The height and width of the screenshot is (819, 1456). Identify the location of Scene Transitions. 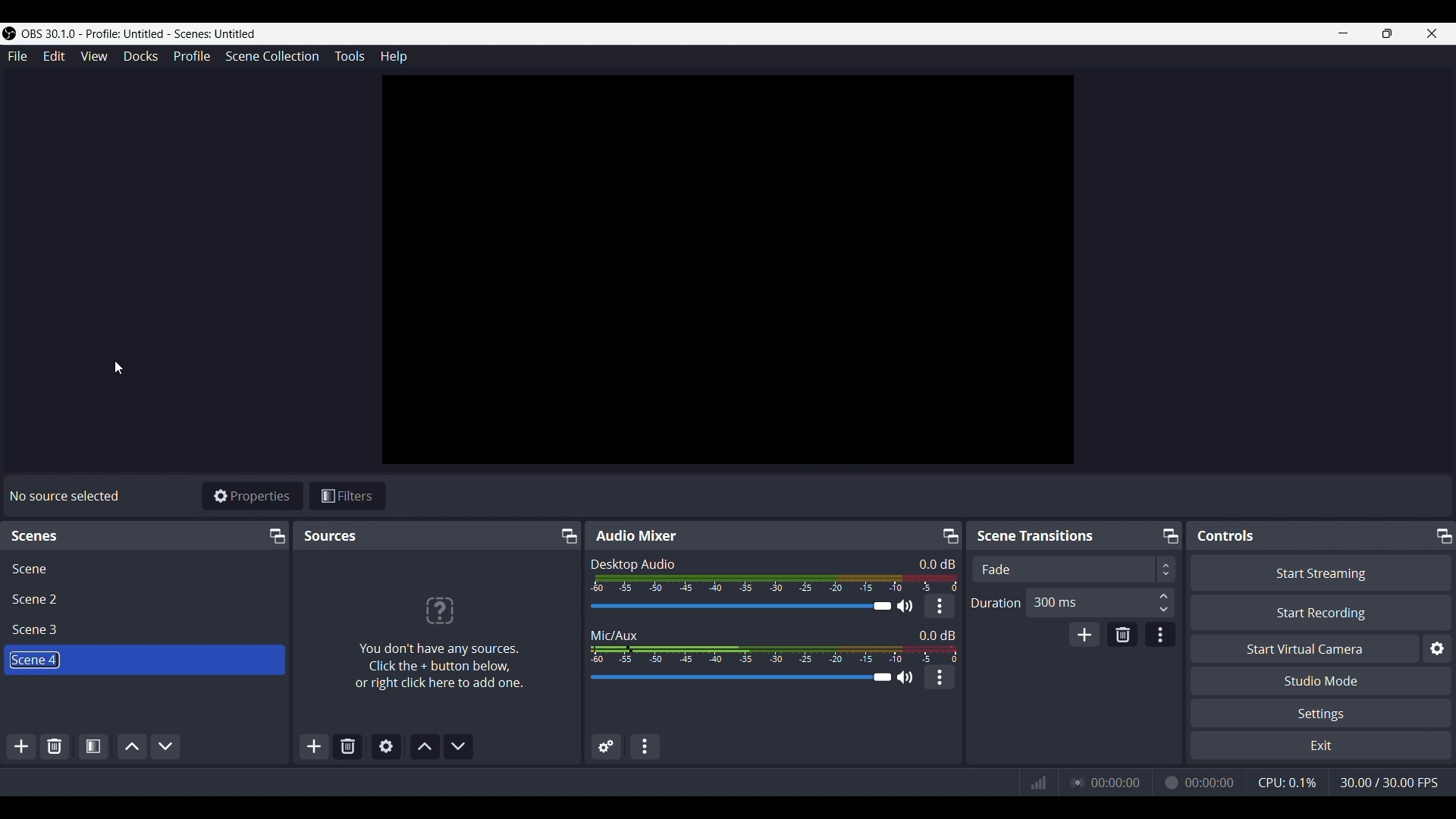
(1039, 535).